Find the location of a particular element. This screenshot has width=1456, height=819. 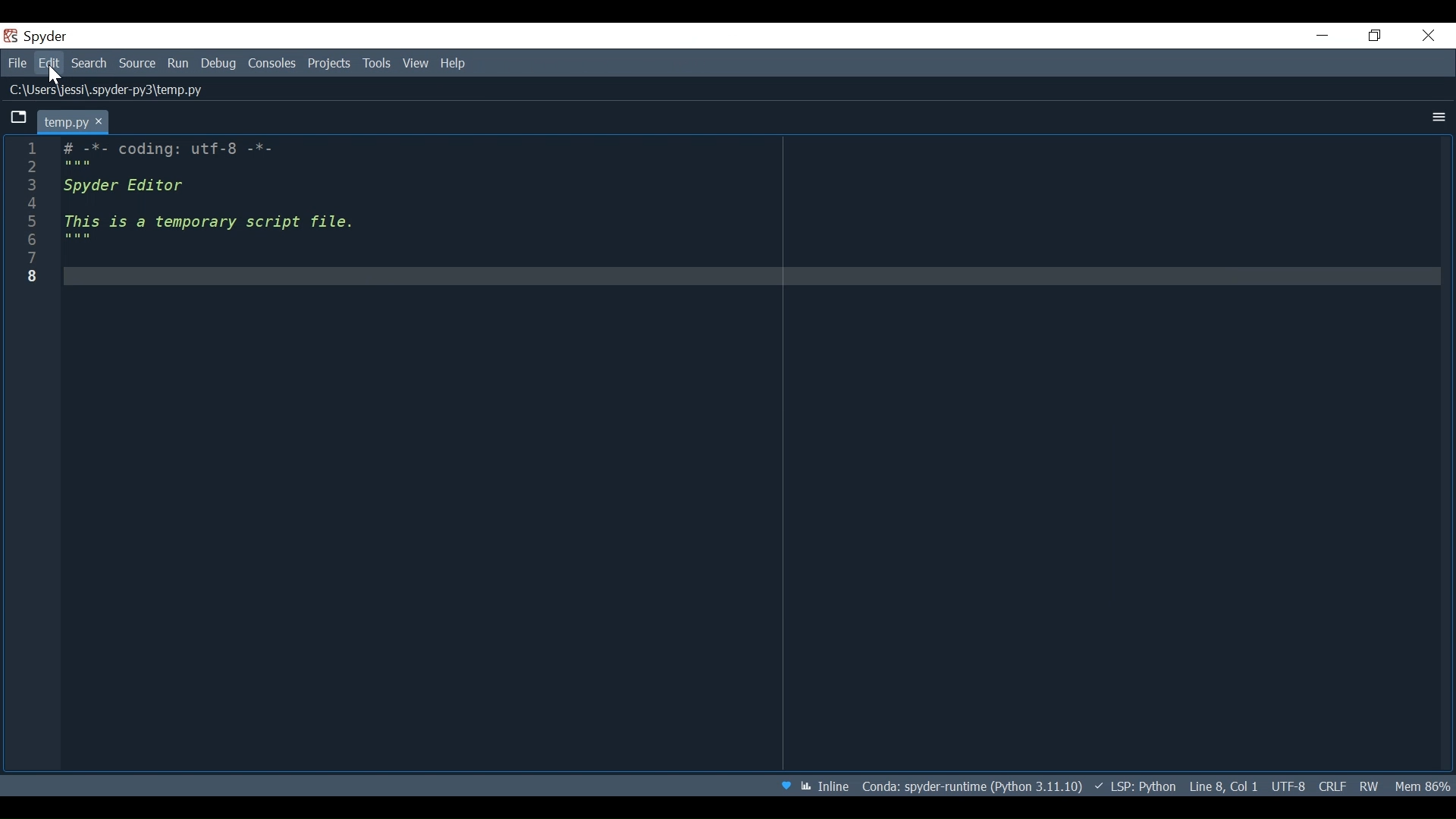

Minimize is located at coordinates (1323, 35).